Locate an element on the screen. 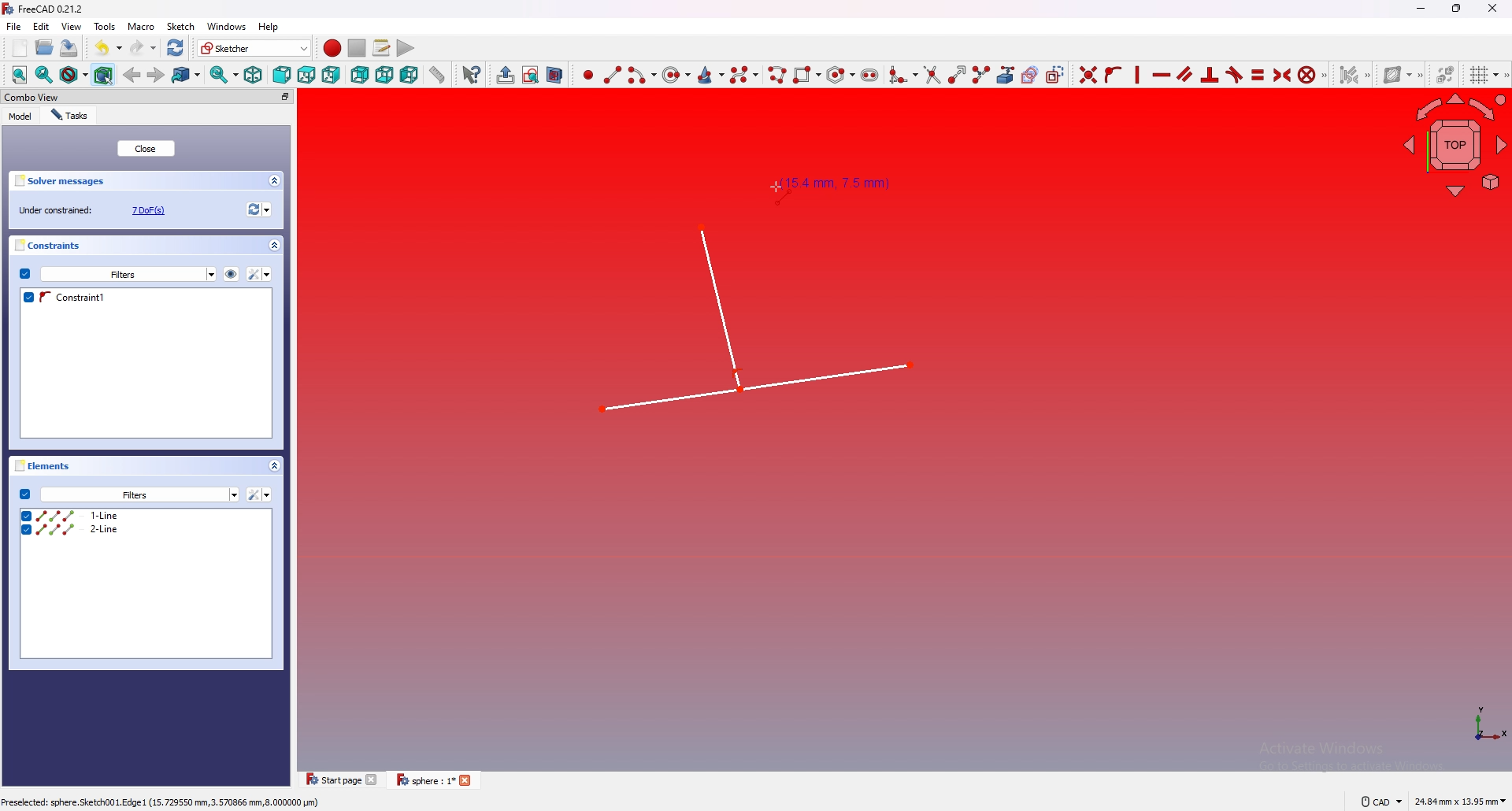 This screenshot has height=811, width=1512. View section is located at coordinates (555, 74).